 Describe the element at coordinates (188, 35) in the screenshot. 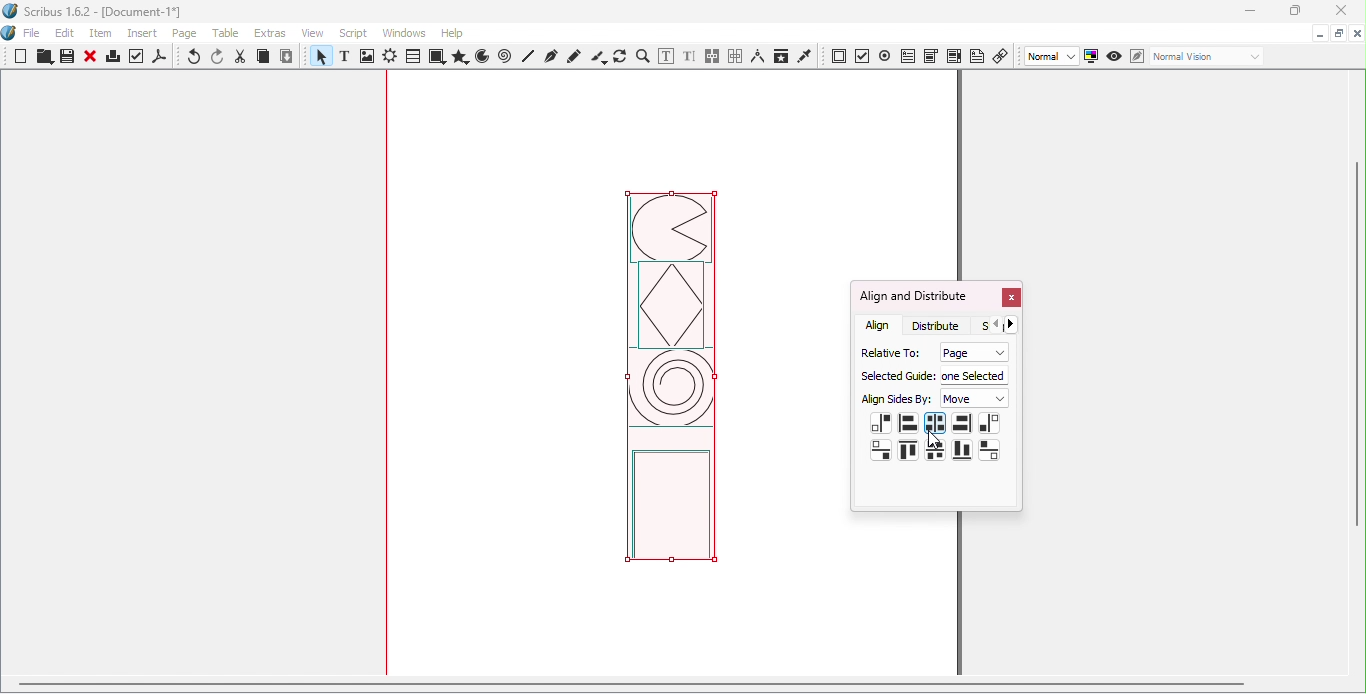

I see `Page` at that location.